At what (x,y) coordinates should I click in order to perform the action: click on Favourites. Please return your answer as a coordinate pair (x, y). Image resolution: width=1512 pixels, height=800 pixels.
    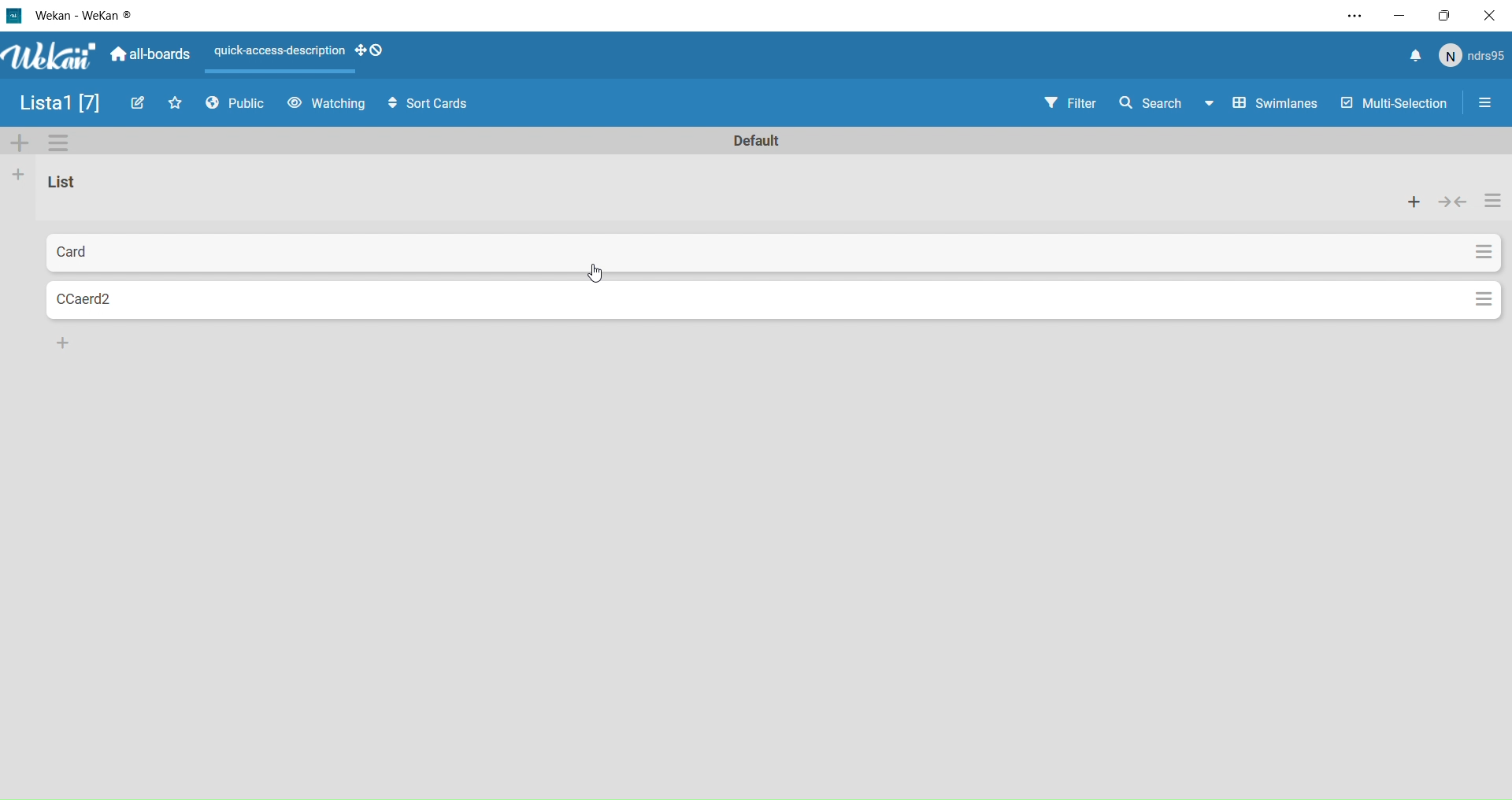
    Looking at the image, I should click on (181, 104).